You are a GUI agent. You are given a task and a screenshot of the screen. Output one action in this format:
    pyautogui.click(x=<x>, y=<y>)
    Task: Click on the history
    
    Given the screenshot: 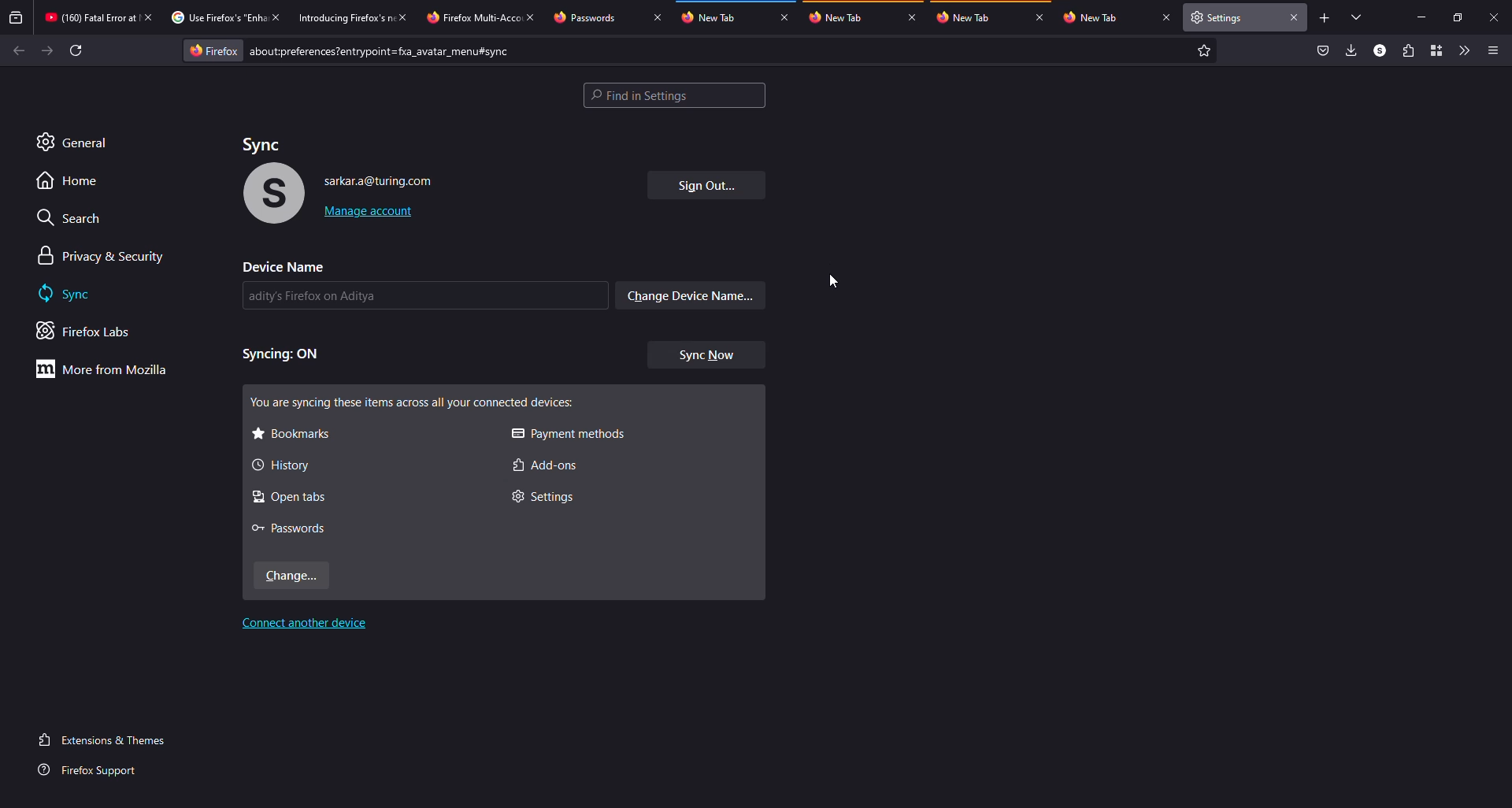 What is the action you would take?
    pyautogui.click(x=283, y=464)
    